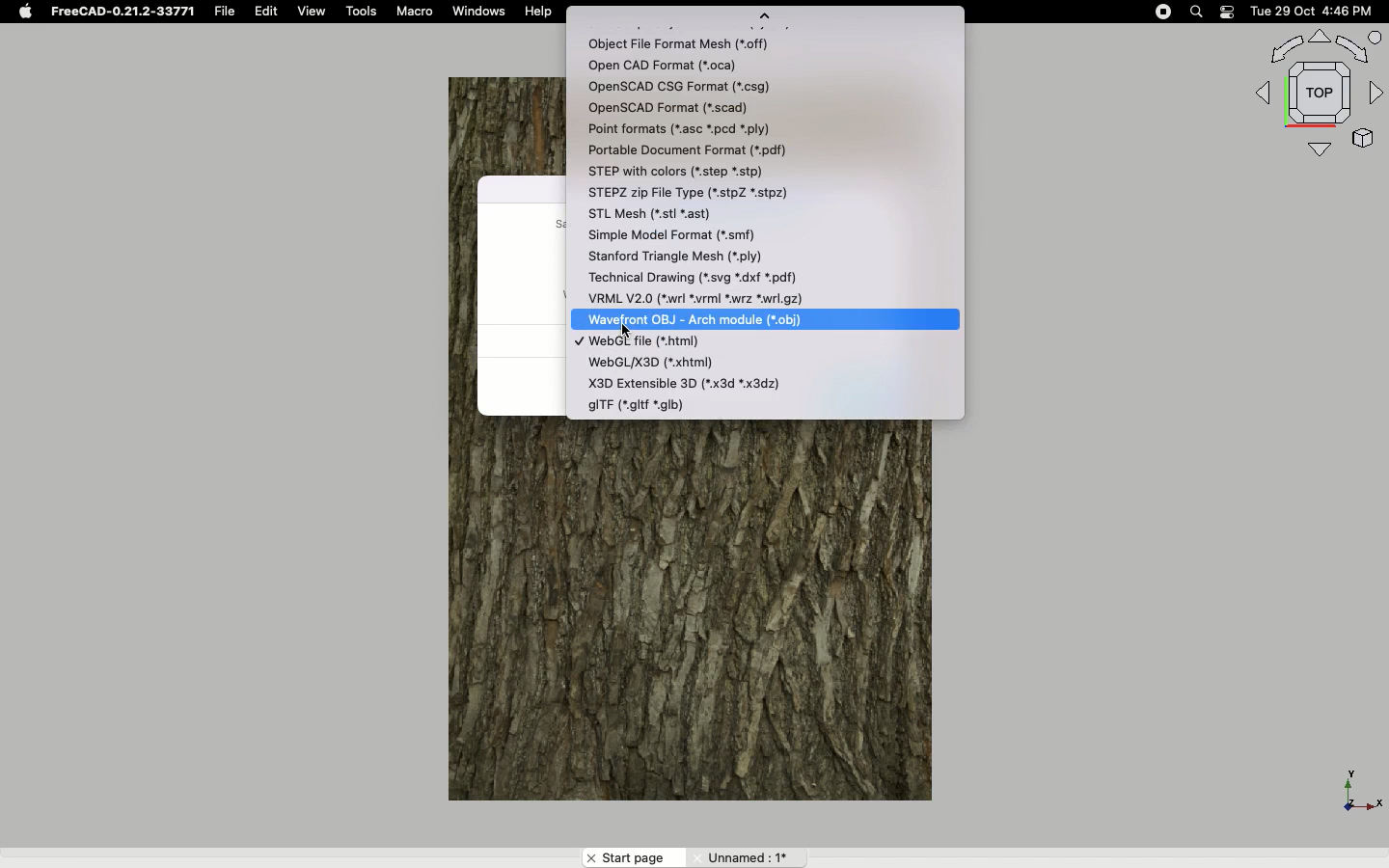 The width and height of the screenshot is (1389, 868). I want to click on OpenSCAD CSG format(*.csg), so click(700, 86).